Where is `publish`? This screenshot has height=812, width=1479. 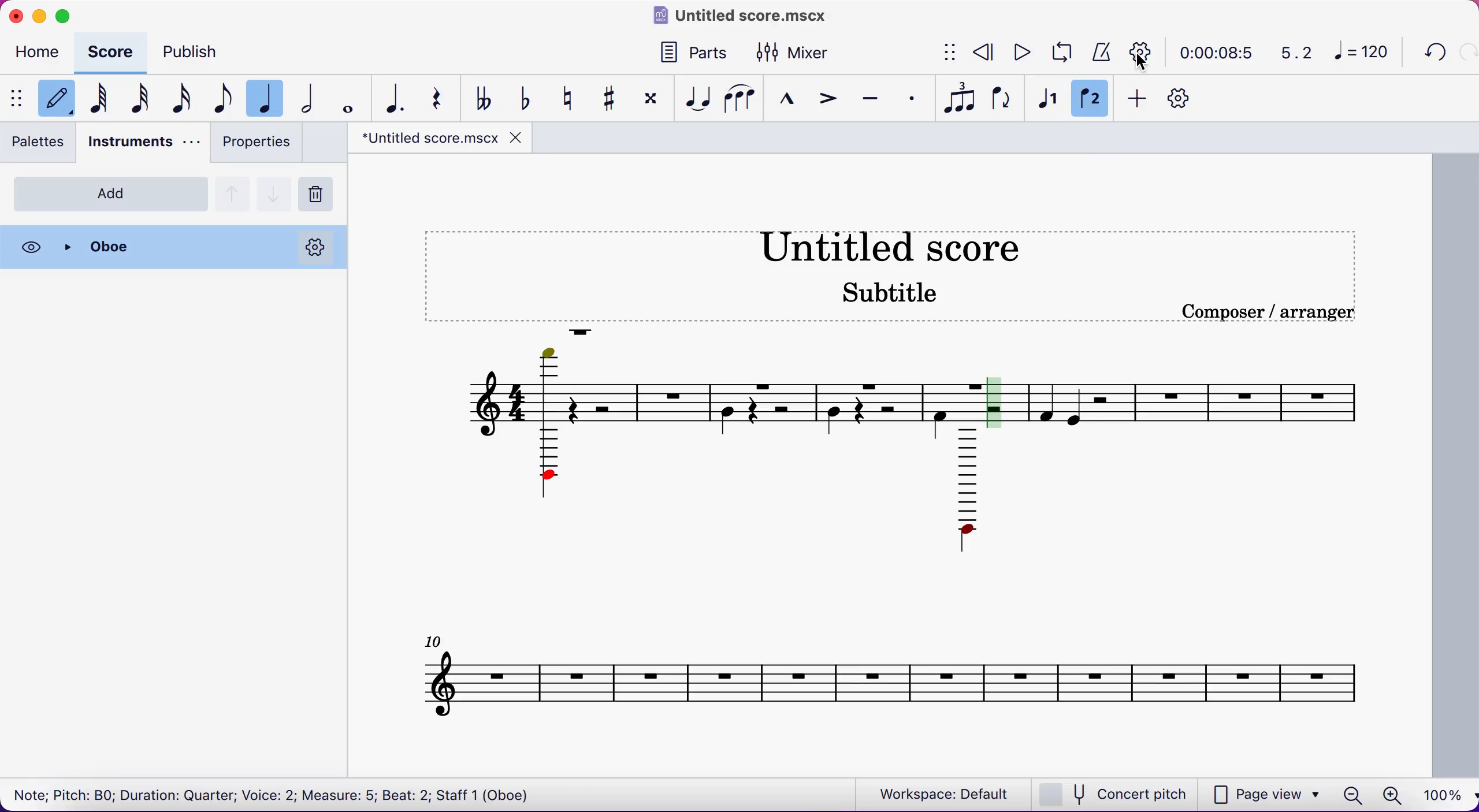
publish is located at coordinates (202, 50).